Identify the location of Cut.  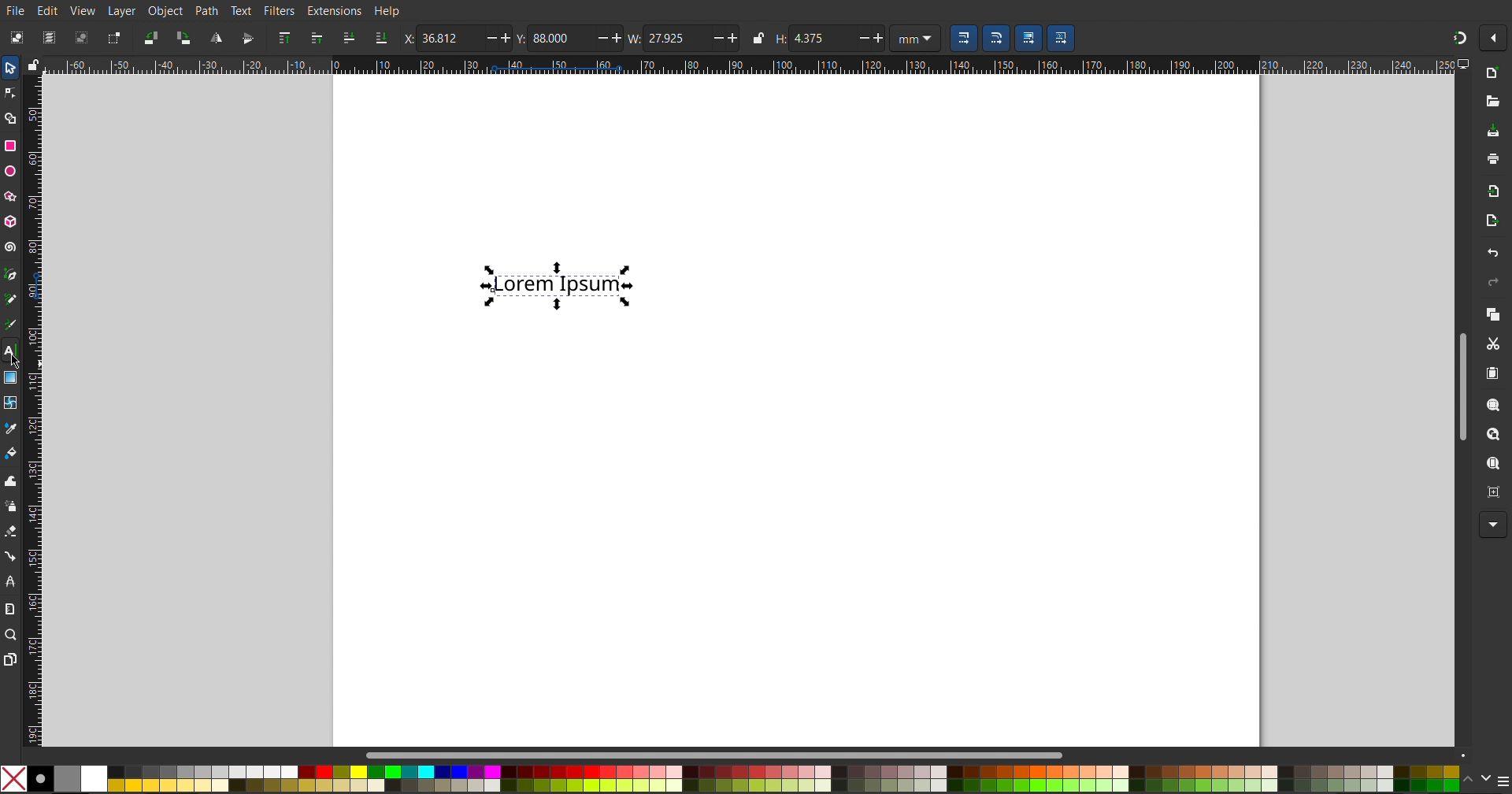
(1492, 343).